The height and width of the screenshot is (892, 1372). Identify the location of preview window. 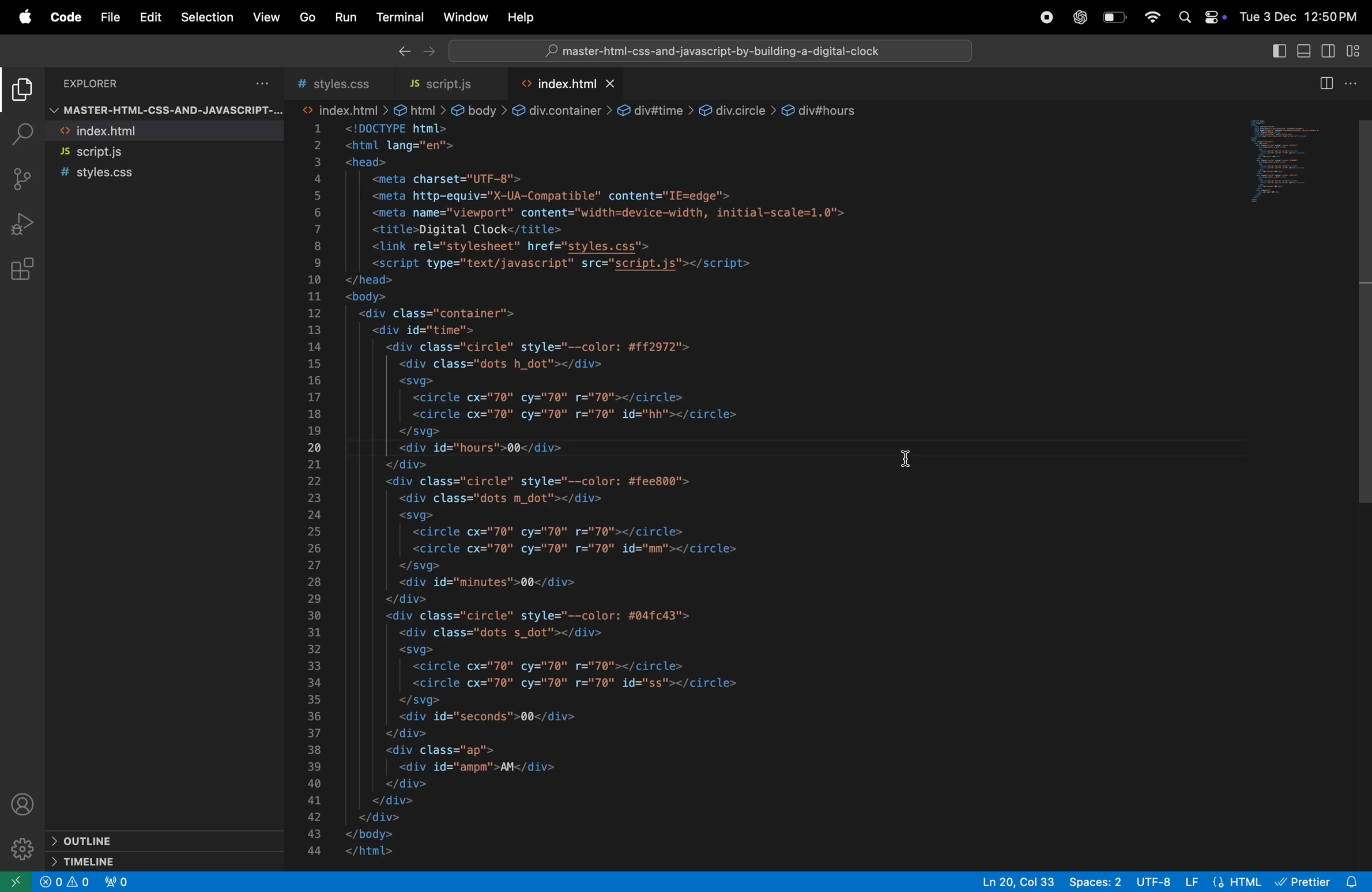
(1285, 167).